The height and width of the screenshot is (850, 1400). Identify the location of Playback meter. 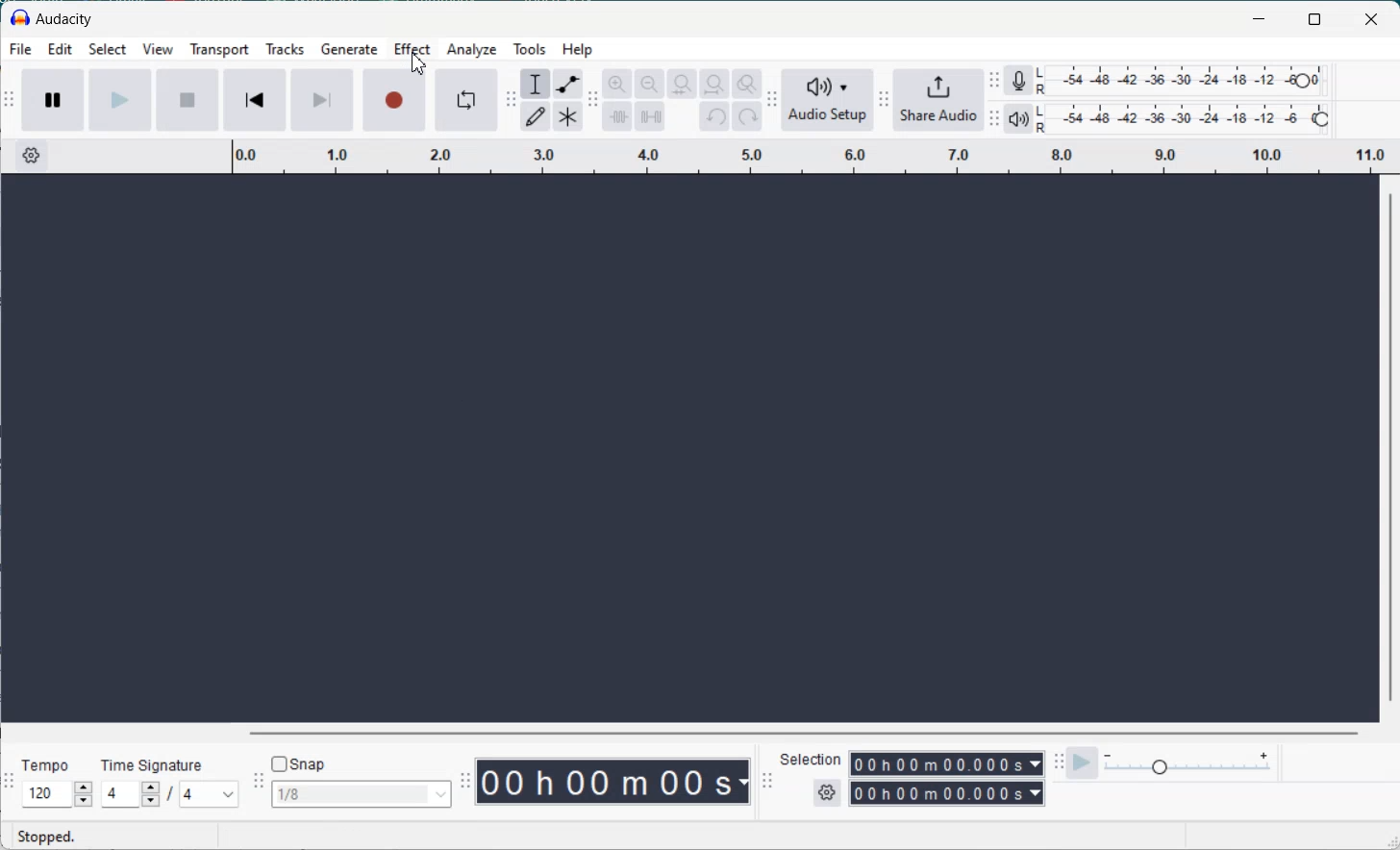
(1017, 119).